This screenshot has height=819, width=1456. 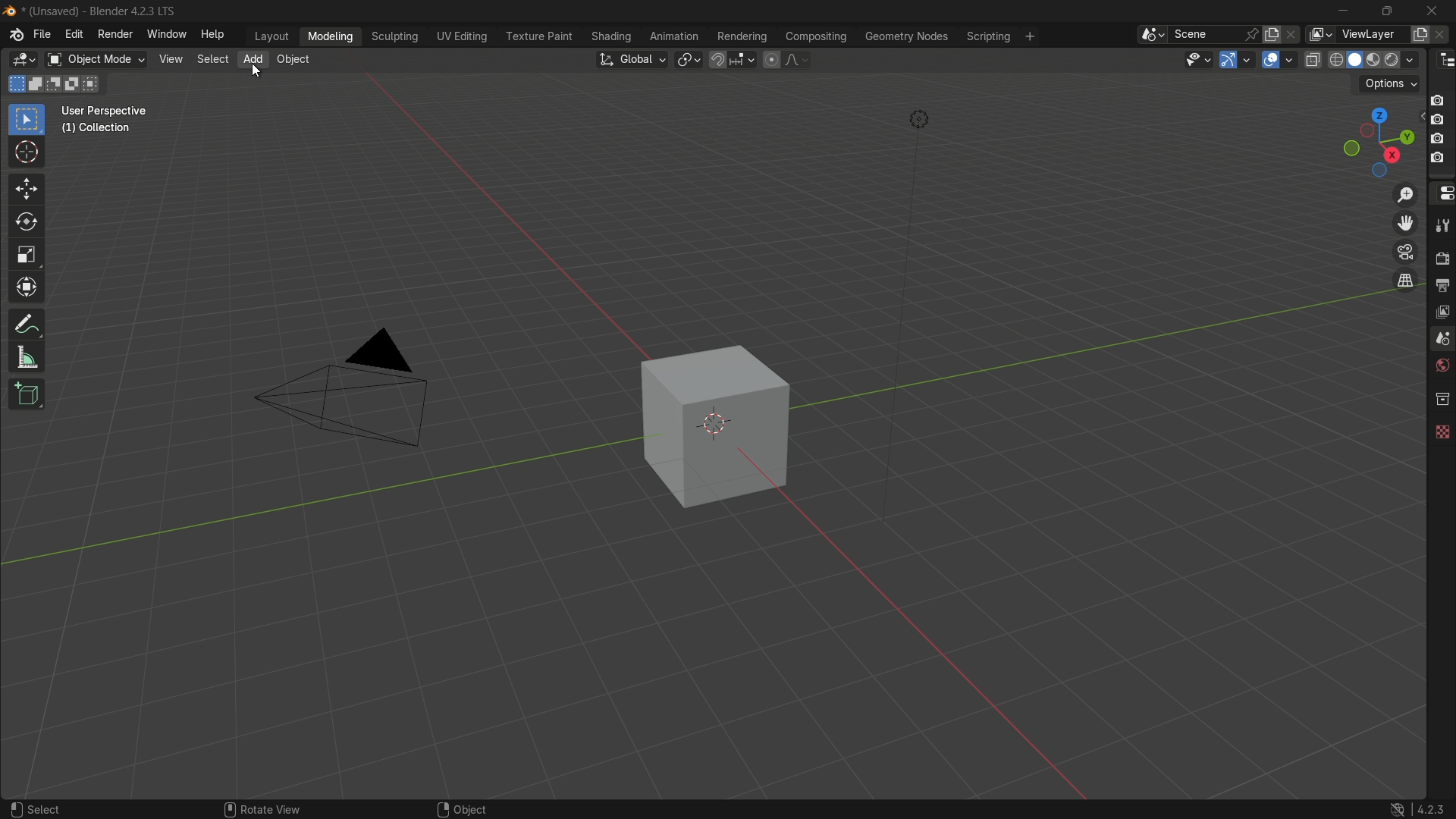 What do you see at coordinates (27, 120) in the screenshot?
I see `select box` at bounding box center [27, 120].